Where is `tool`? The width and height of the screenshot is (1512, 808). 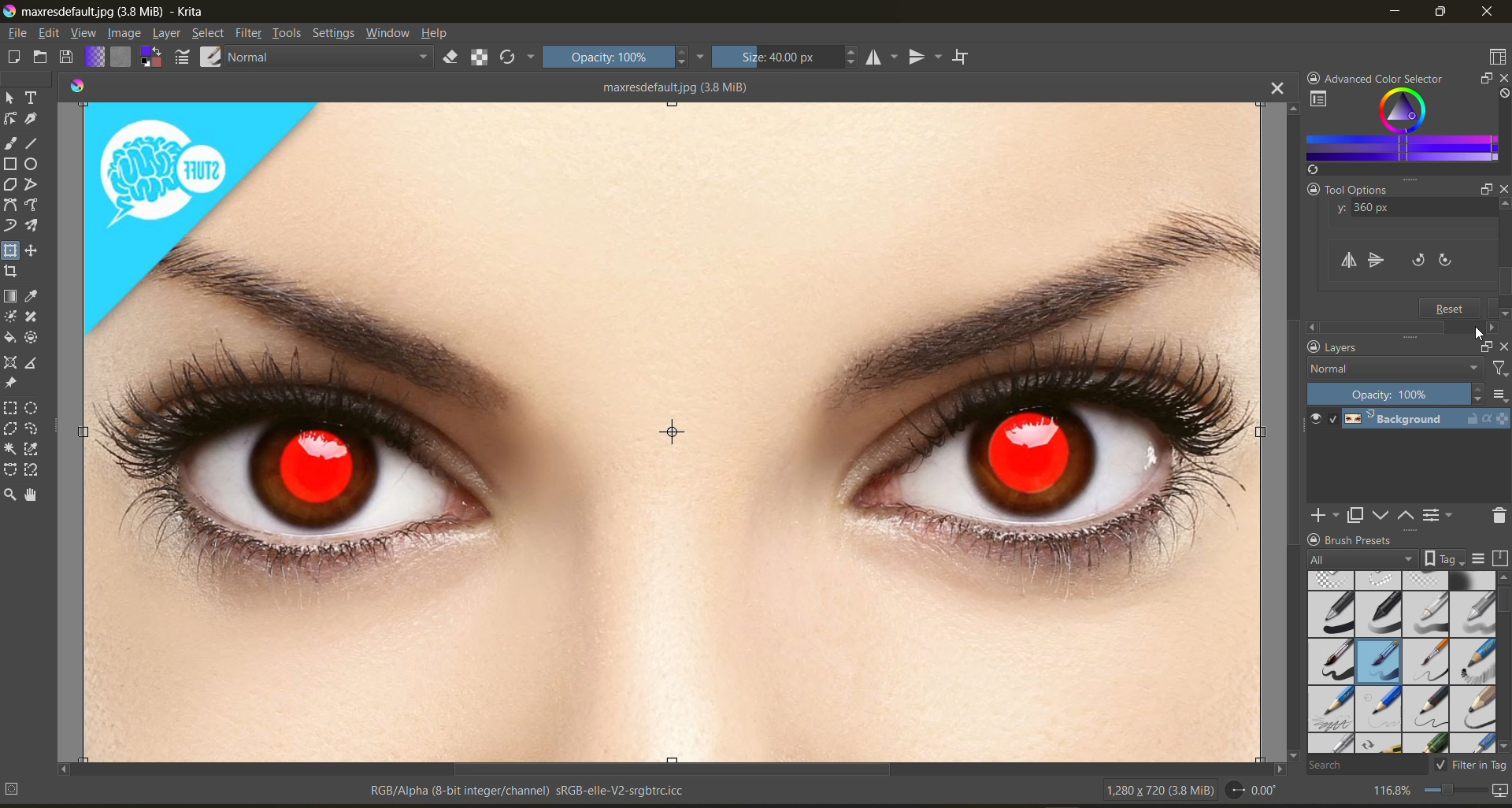
tool is located at coordinates (31, 120).